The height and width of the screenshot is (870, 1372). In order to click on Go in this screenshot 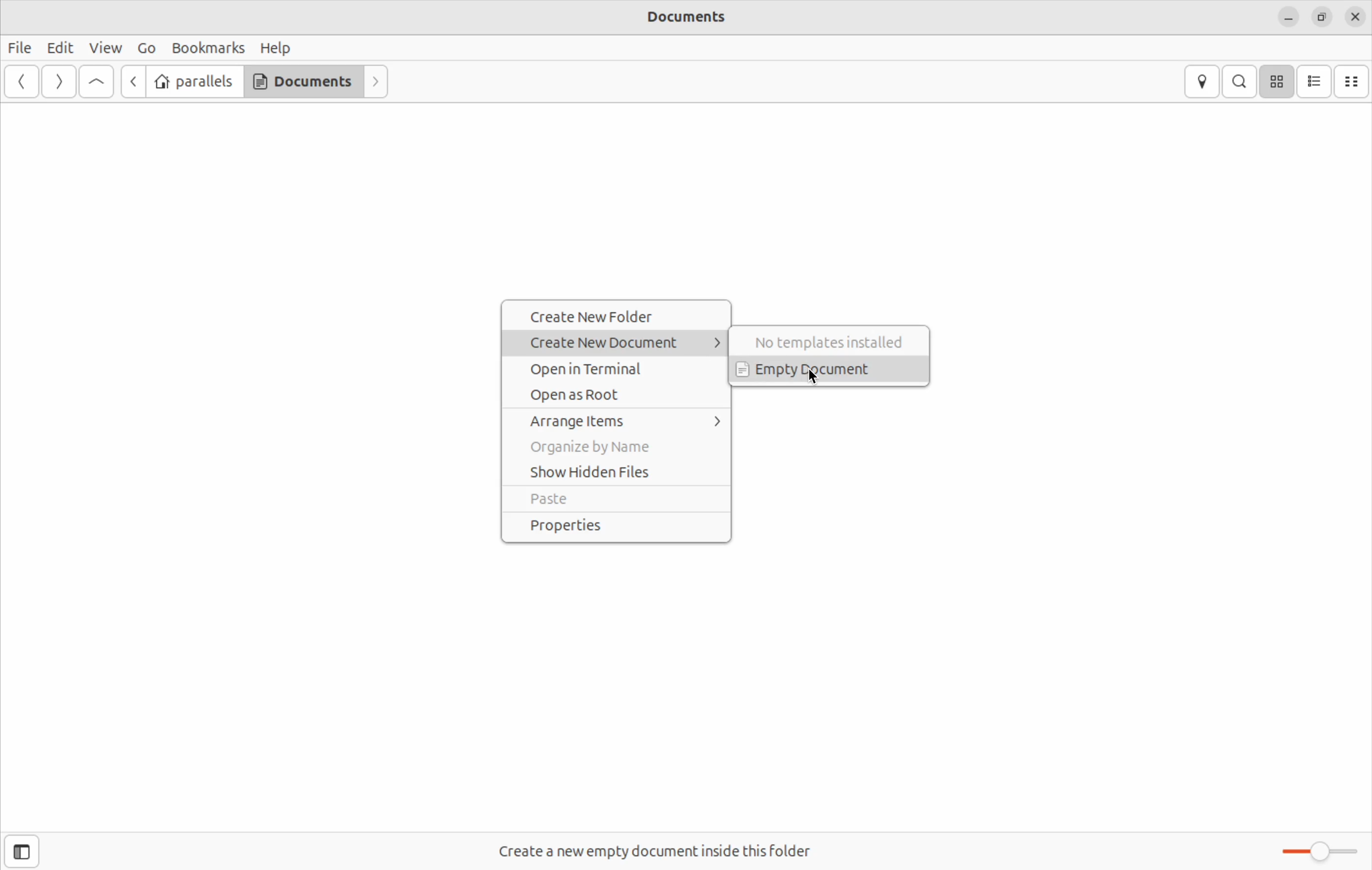, I will do `click(145, 48)`.